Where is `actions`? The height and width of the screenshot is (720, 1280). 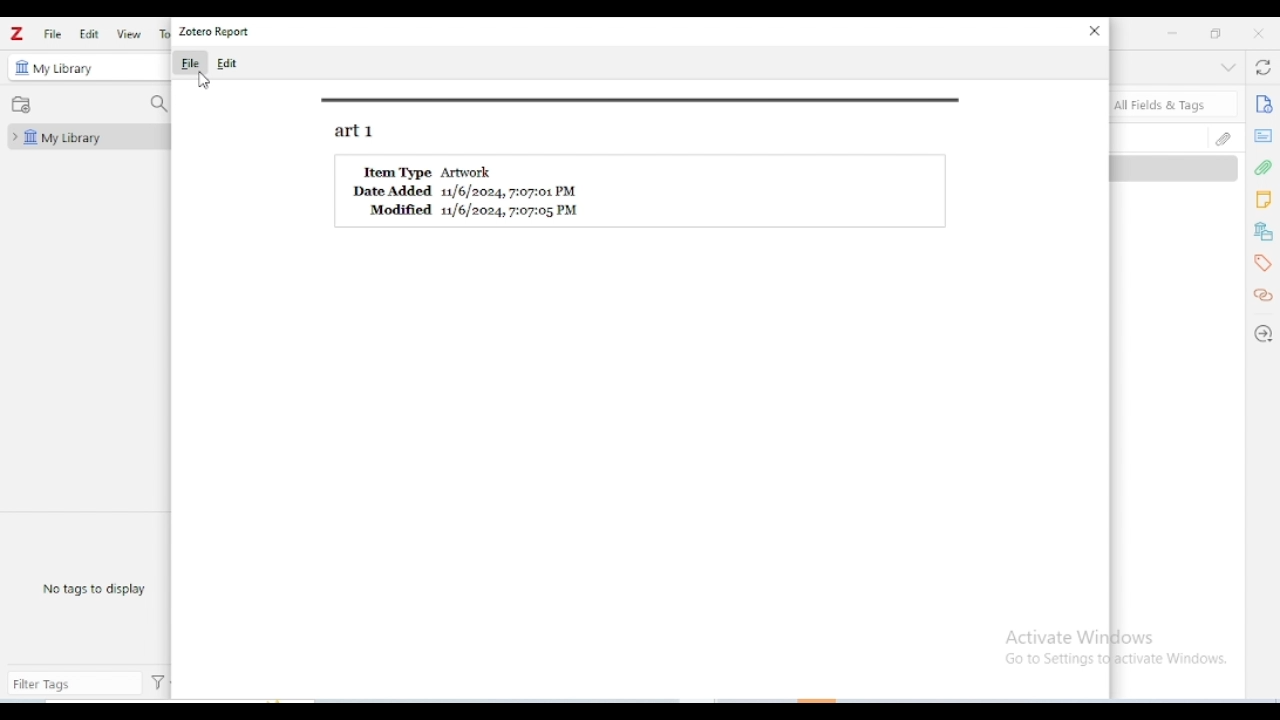
actions is located at coordinates (158, 683).